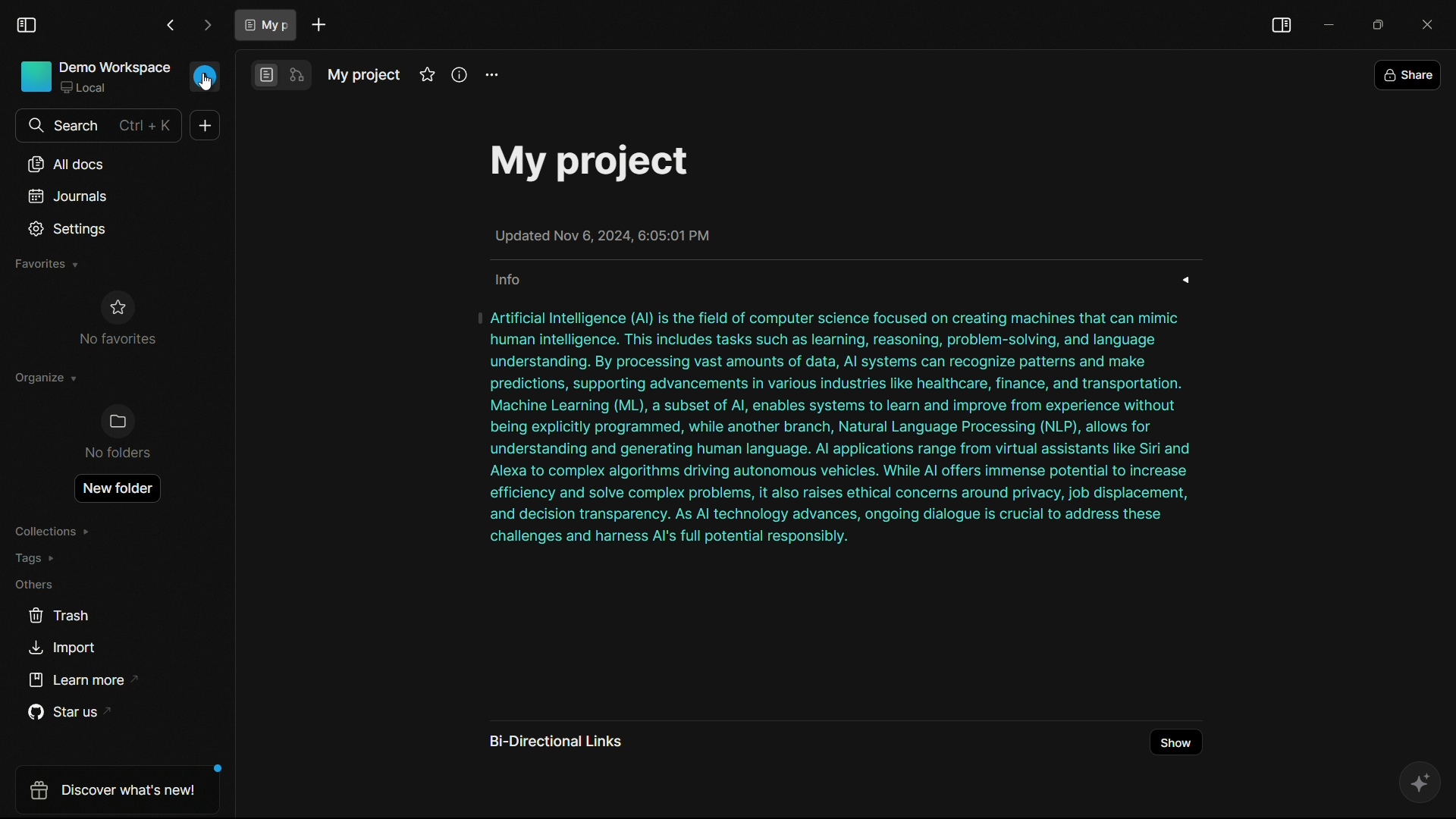 This screenshot has height=819, width=1456. Describe the element at coordinates (40, 381) in the screenshot. I see `organize` at that location.